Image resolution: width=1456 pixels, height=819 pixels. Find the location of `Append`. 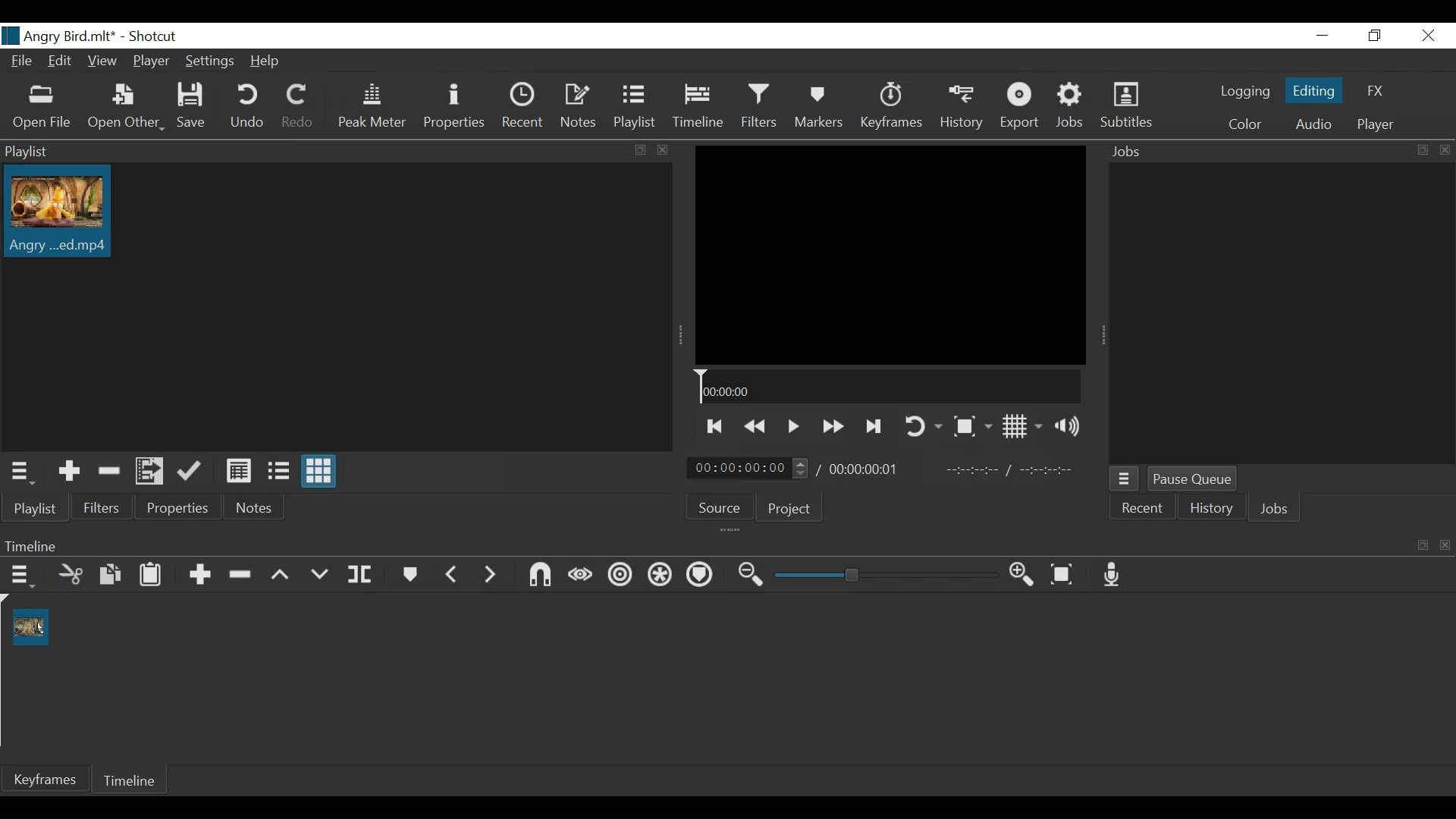

Append is located at coordinates (199, 575).